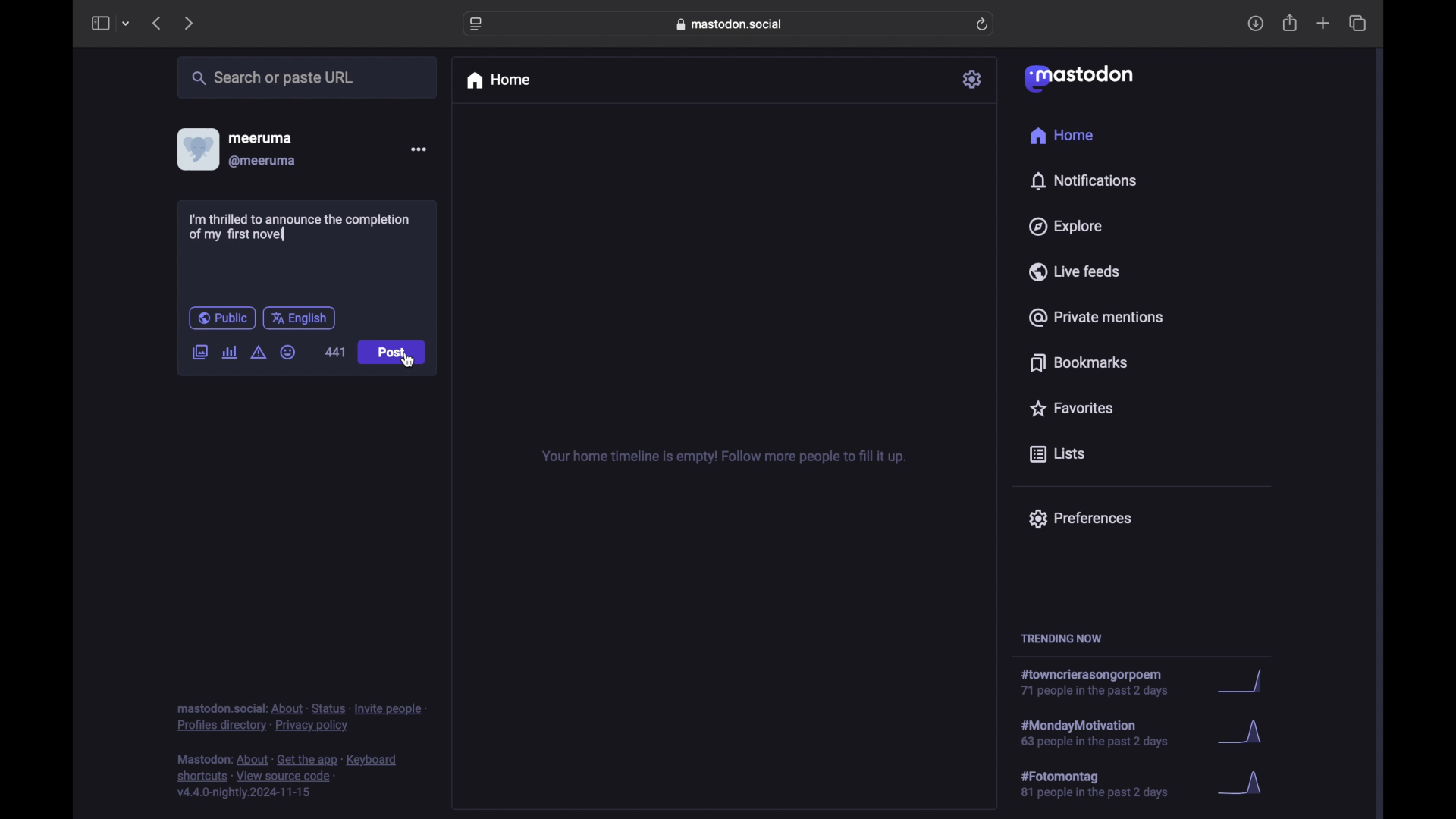  What do you see at coordinates (188, 24) in the screenshot?
I see `next` at bounding box center [188, 24].